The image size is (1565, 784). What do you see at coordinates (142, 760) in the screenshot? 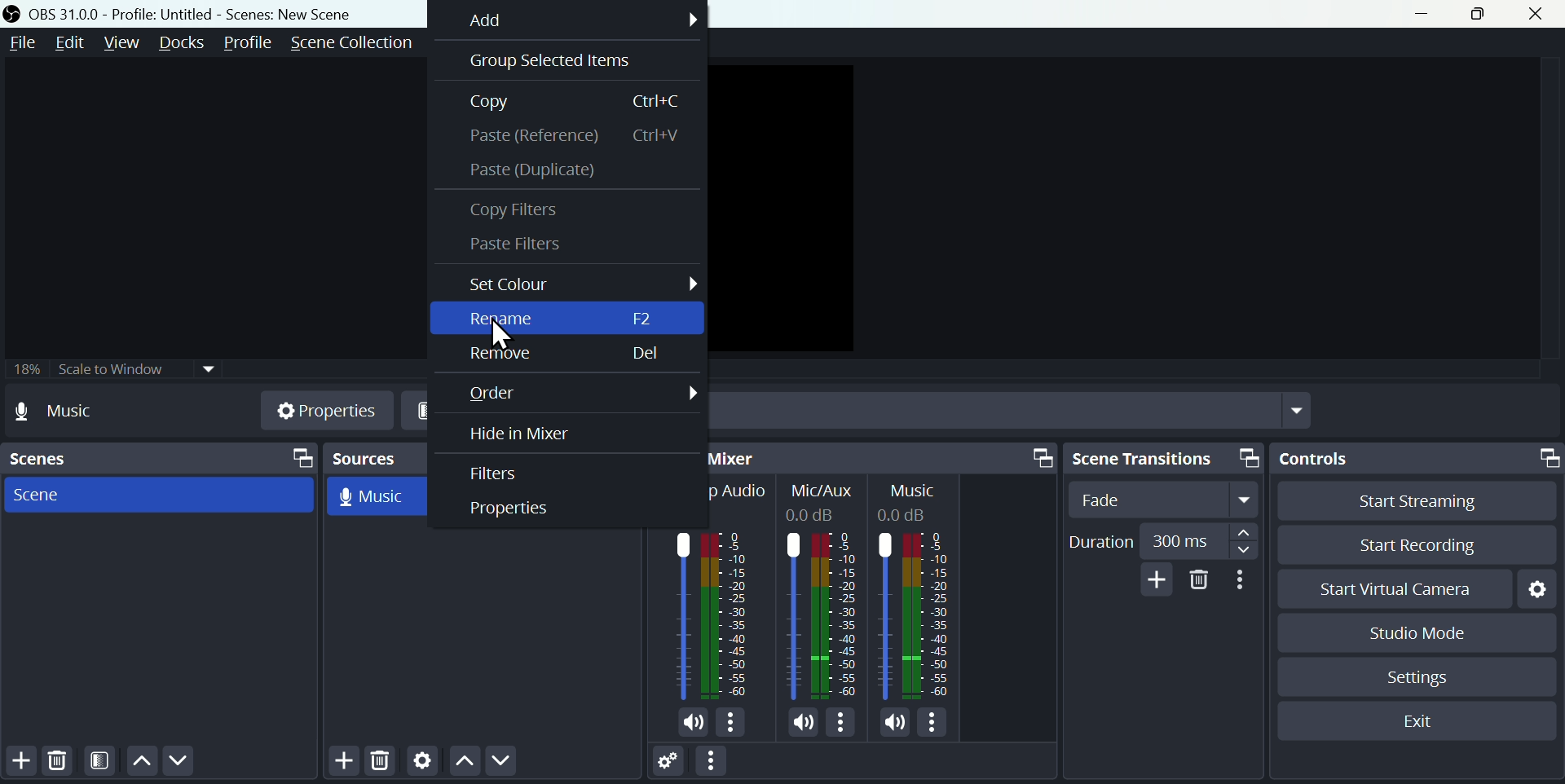
I see `Move up` at bounding box center [142, 760].